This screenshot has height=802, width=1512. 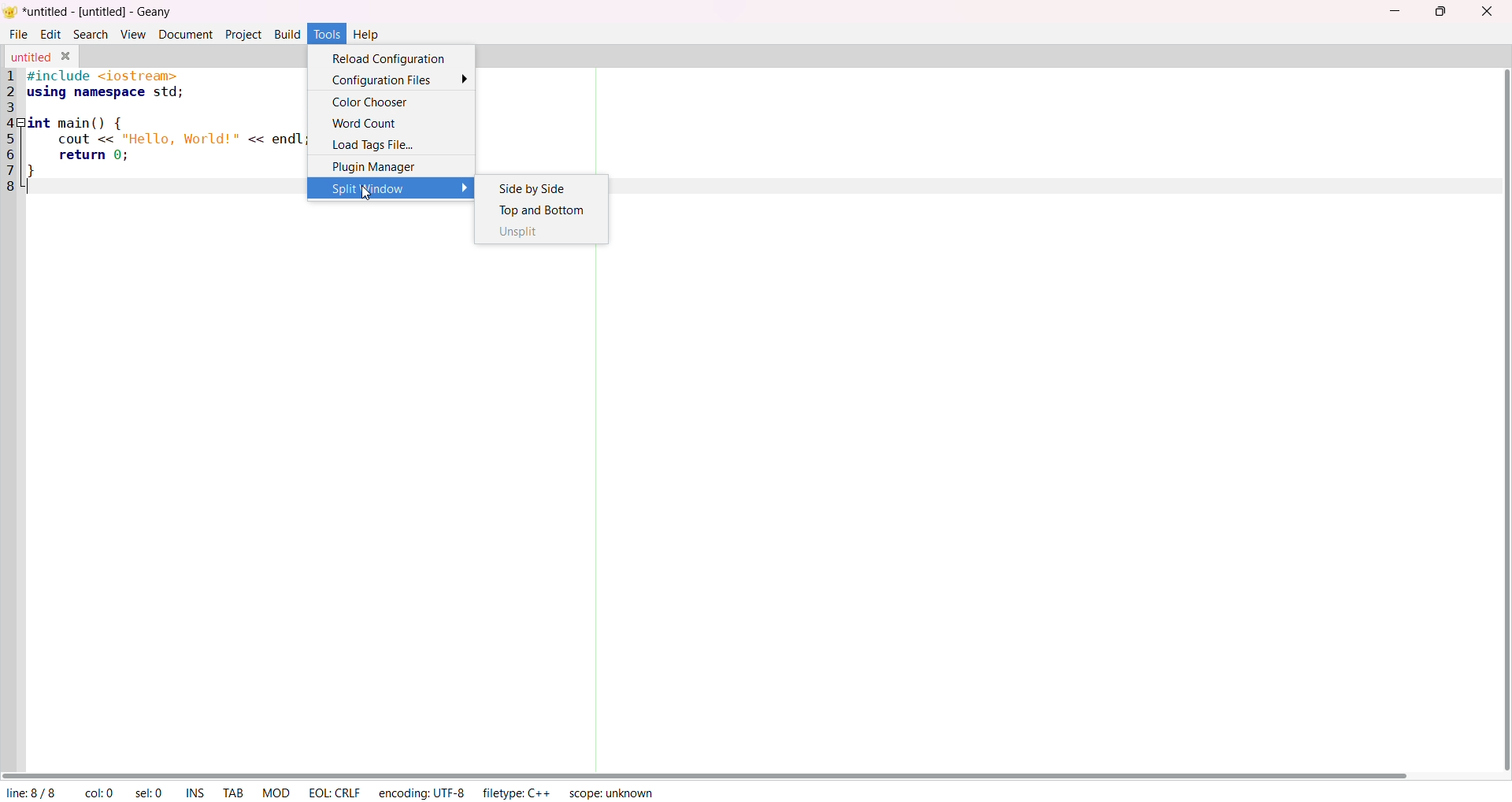 I want to click on filetype: C++, so click(x=513, y=794).